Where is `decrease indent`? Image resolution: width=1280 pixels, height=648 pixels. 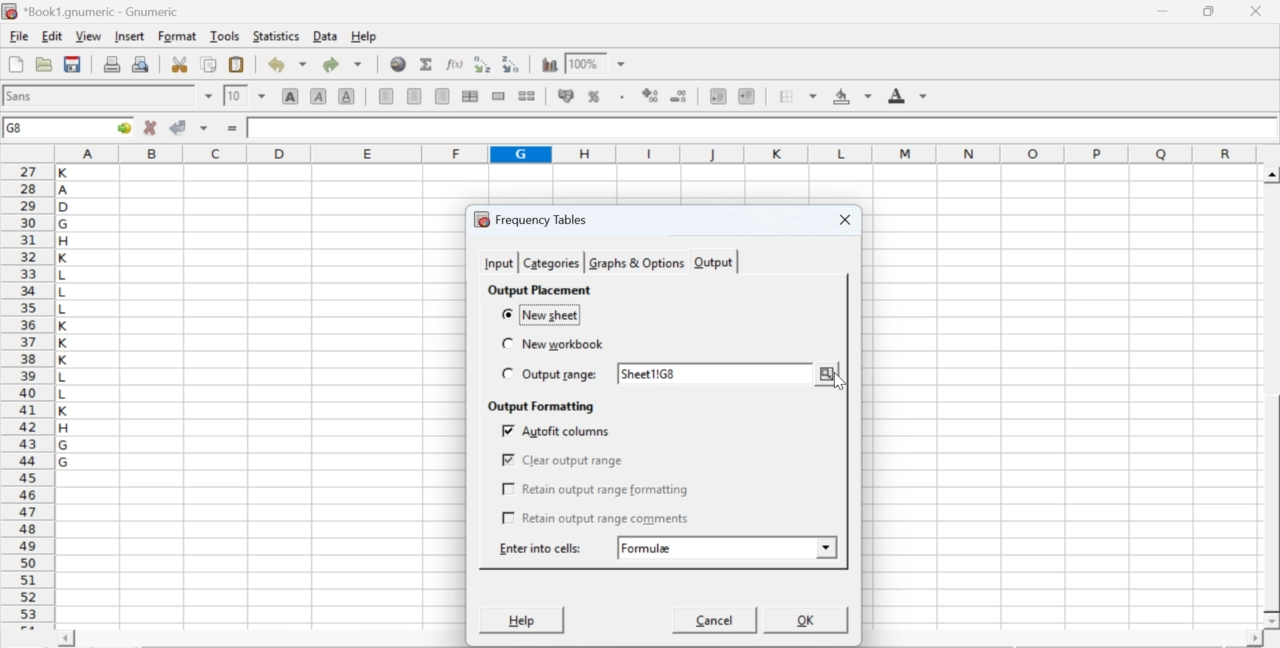 decrease indent is located at coordinates (718, 95).